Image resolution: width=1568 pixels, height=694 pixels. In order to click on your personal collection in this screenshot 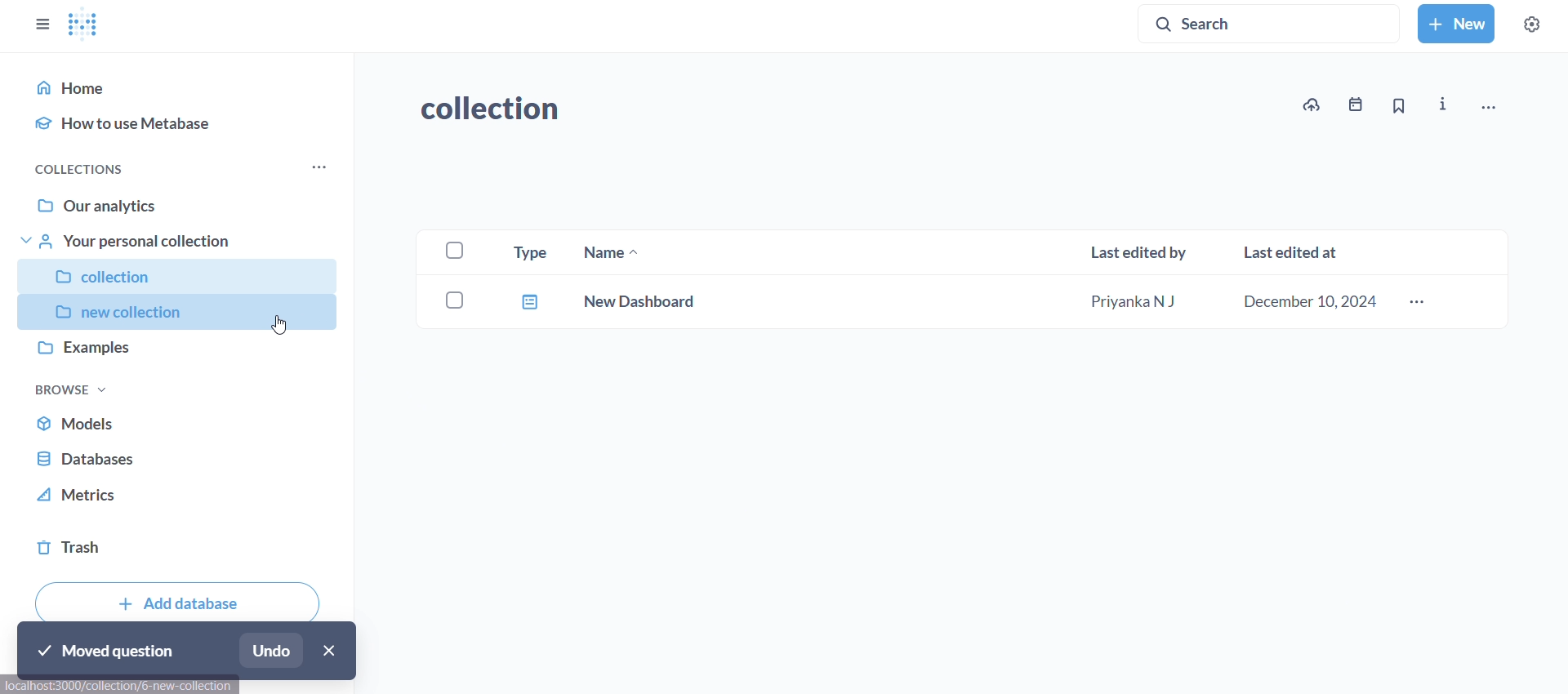, I will do `click(180, 241)`.